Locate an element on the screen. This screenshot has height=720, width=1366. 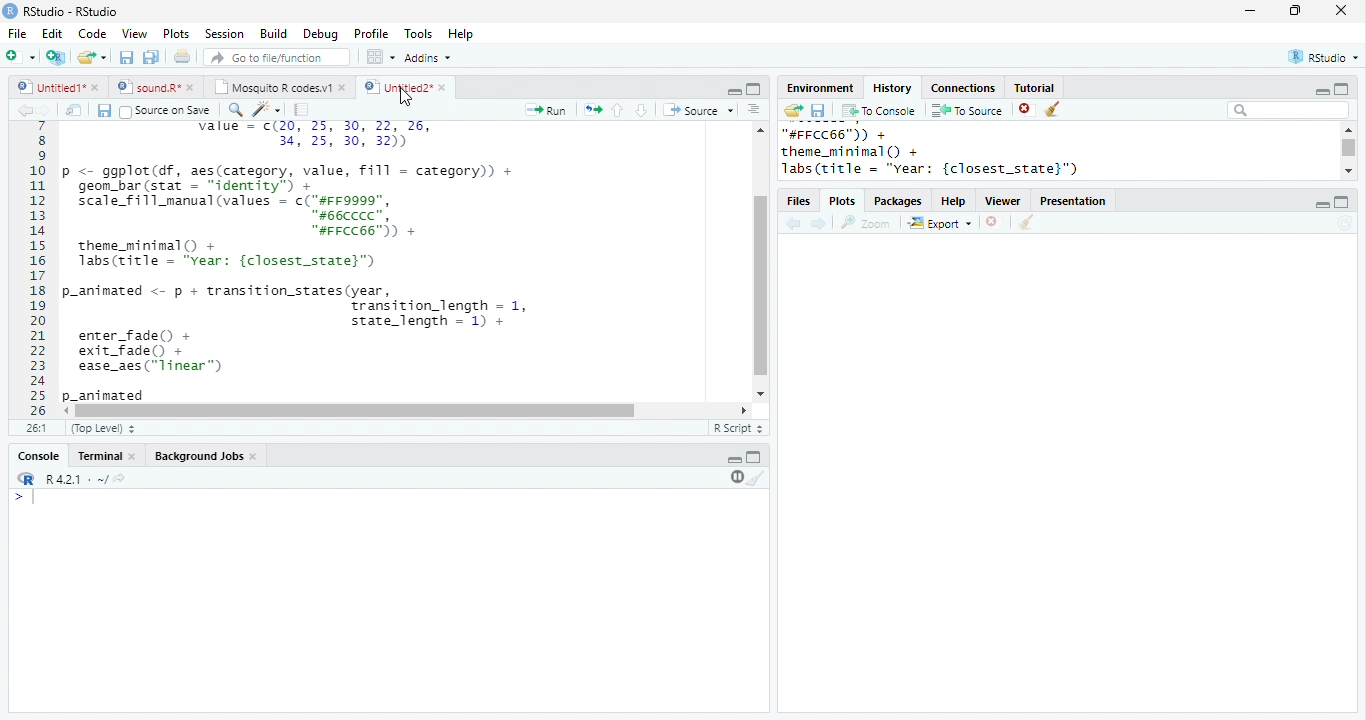
options is located at coordinates (379, 57).